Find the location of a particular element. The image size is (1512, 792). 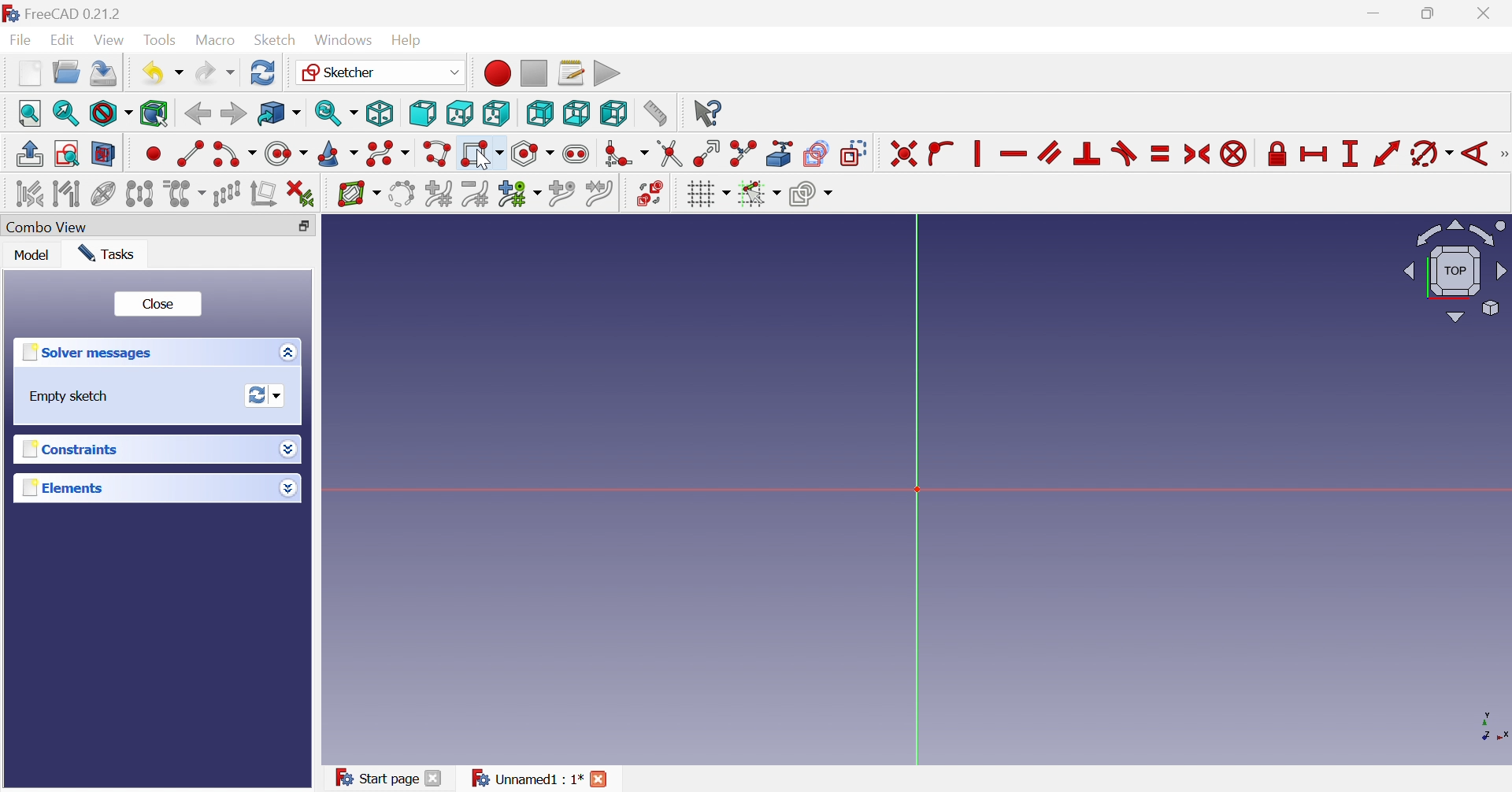

Trim edge is located at coordinates (669, 154).